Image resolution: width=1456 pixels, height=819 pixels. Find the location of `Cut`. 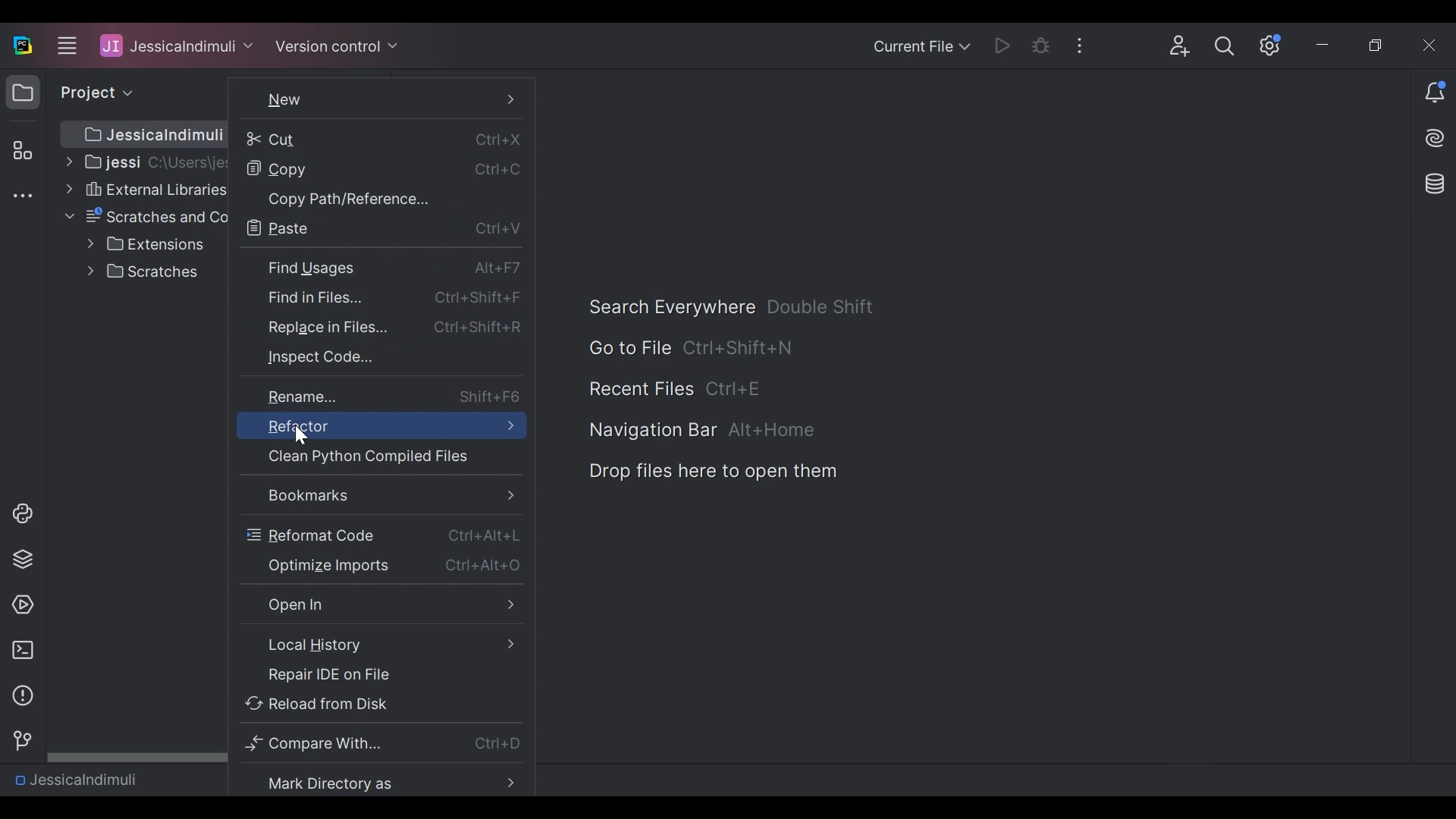

Cut is located at coordinates (378, 137).